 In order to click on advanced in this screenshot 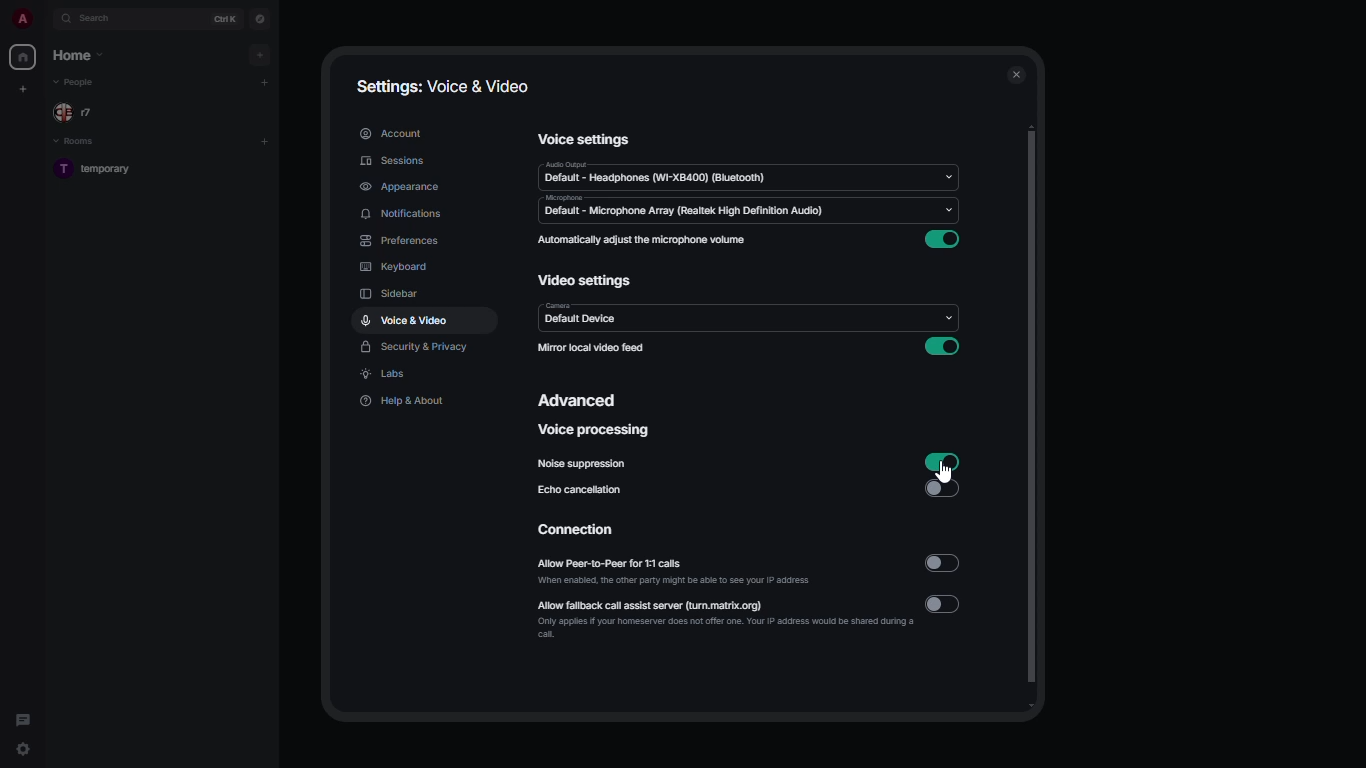, I will do `click(578, 399)`.